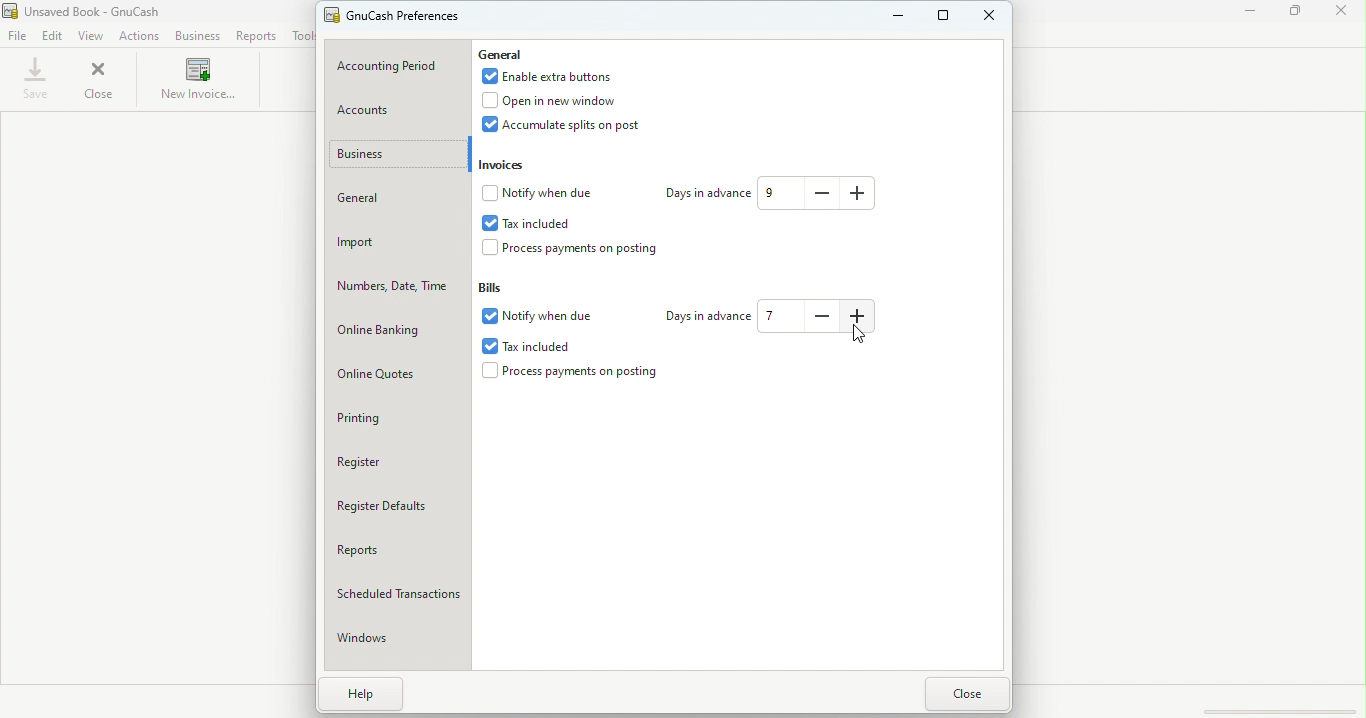 The image size is (1366, 718). I want to click on Edit, so click(53, 37).